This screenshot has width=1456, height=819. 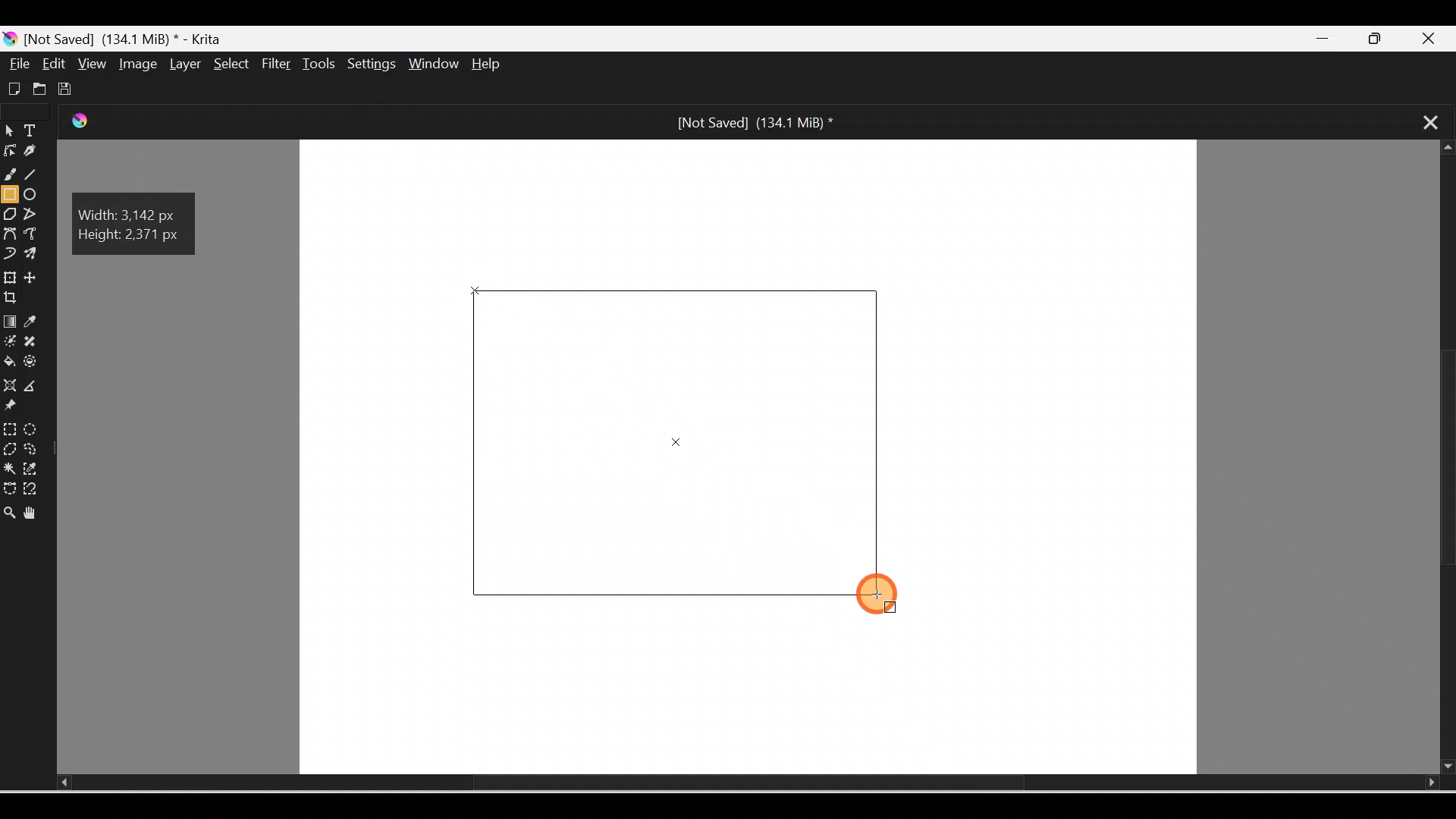 I want to click on Line, so click(x=36, y=177).